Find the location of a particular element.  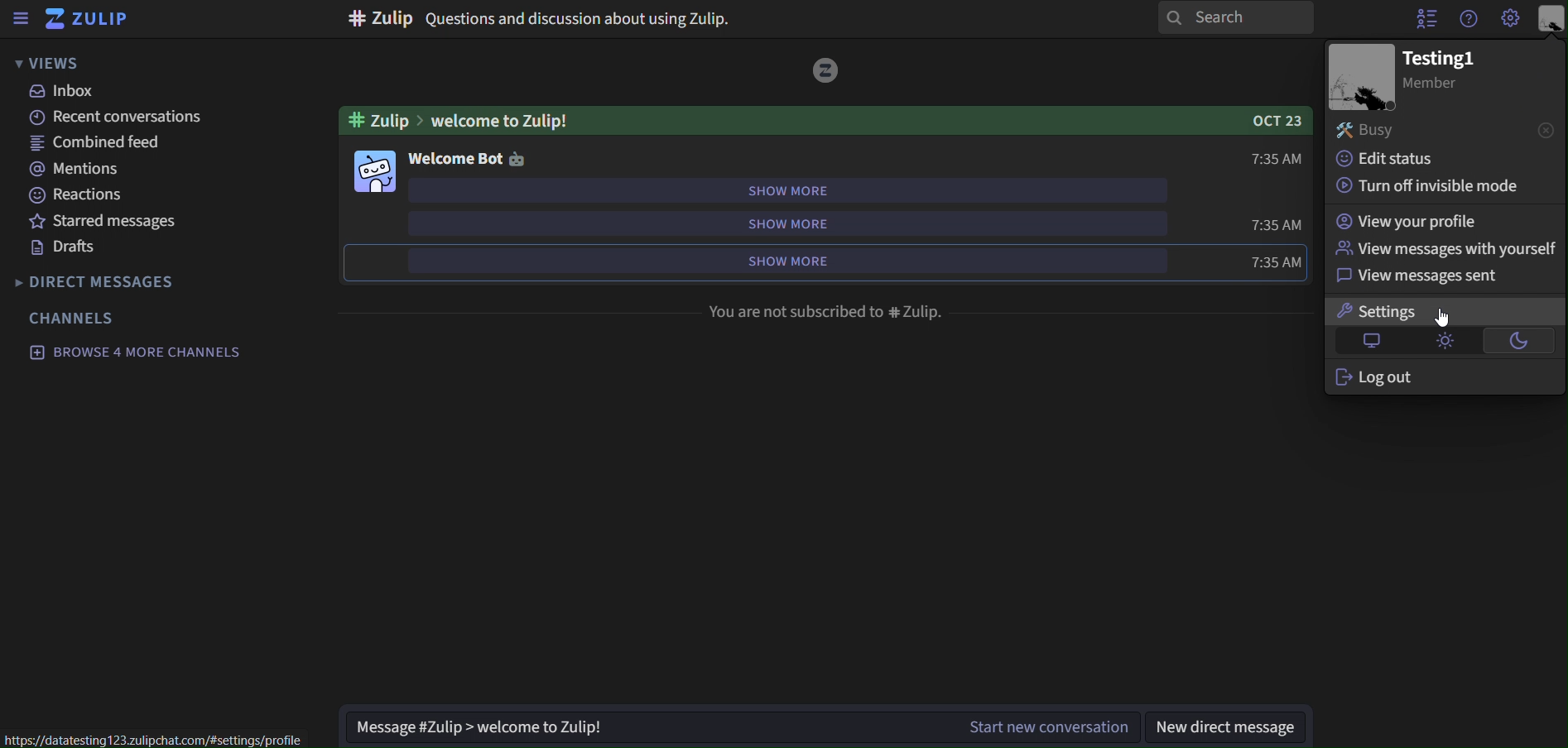

view your profile is located at coordinates (1408, 223).